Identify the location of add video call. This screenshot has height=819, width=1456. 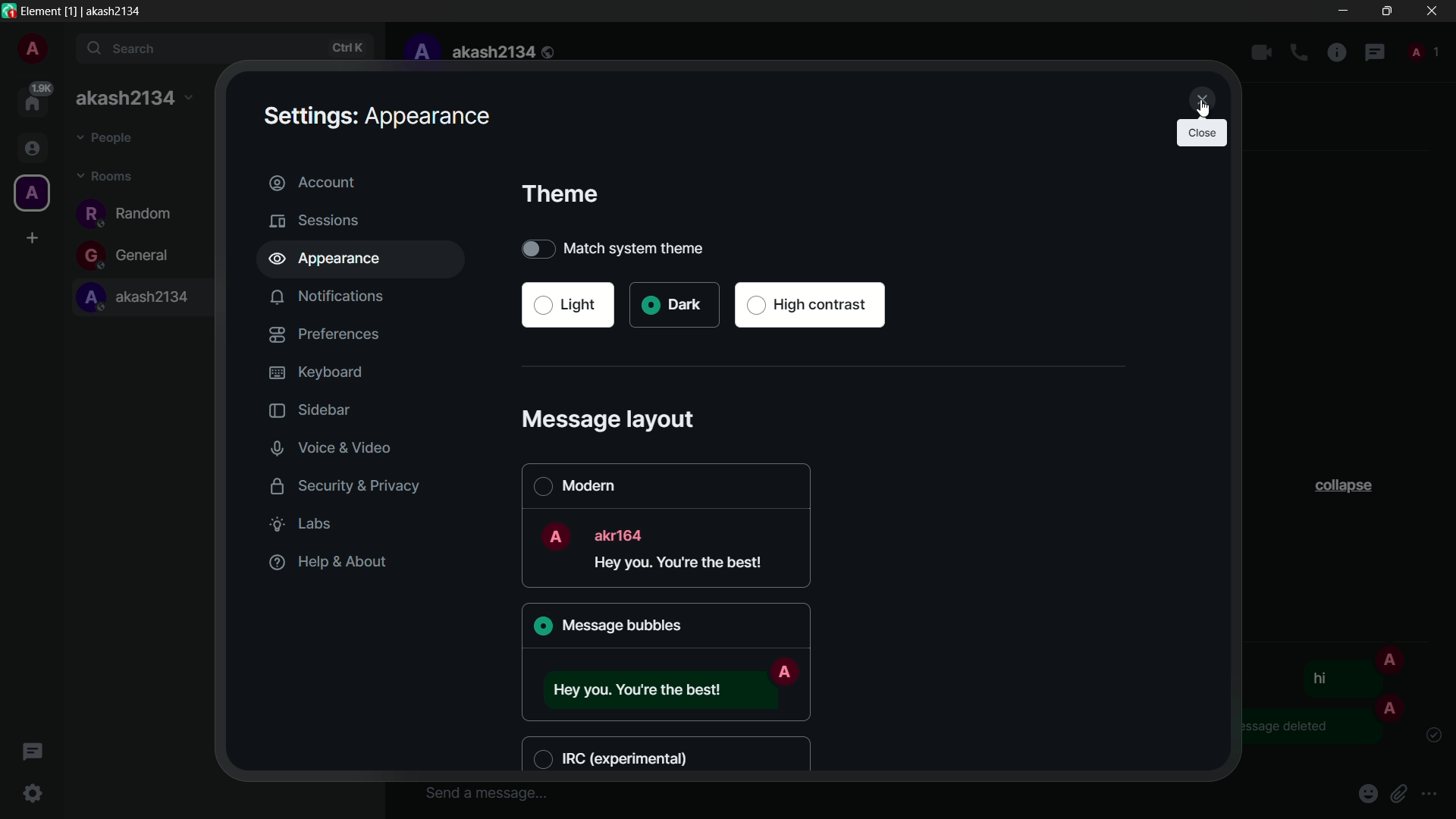
(1261, 52).